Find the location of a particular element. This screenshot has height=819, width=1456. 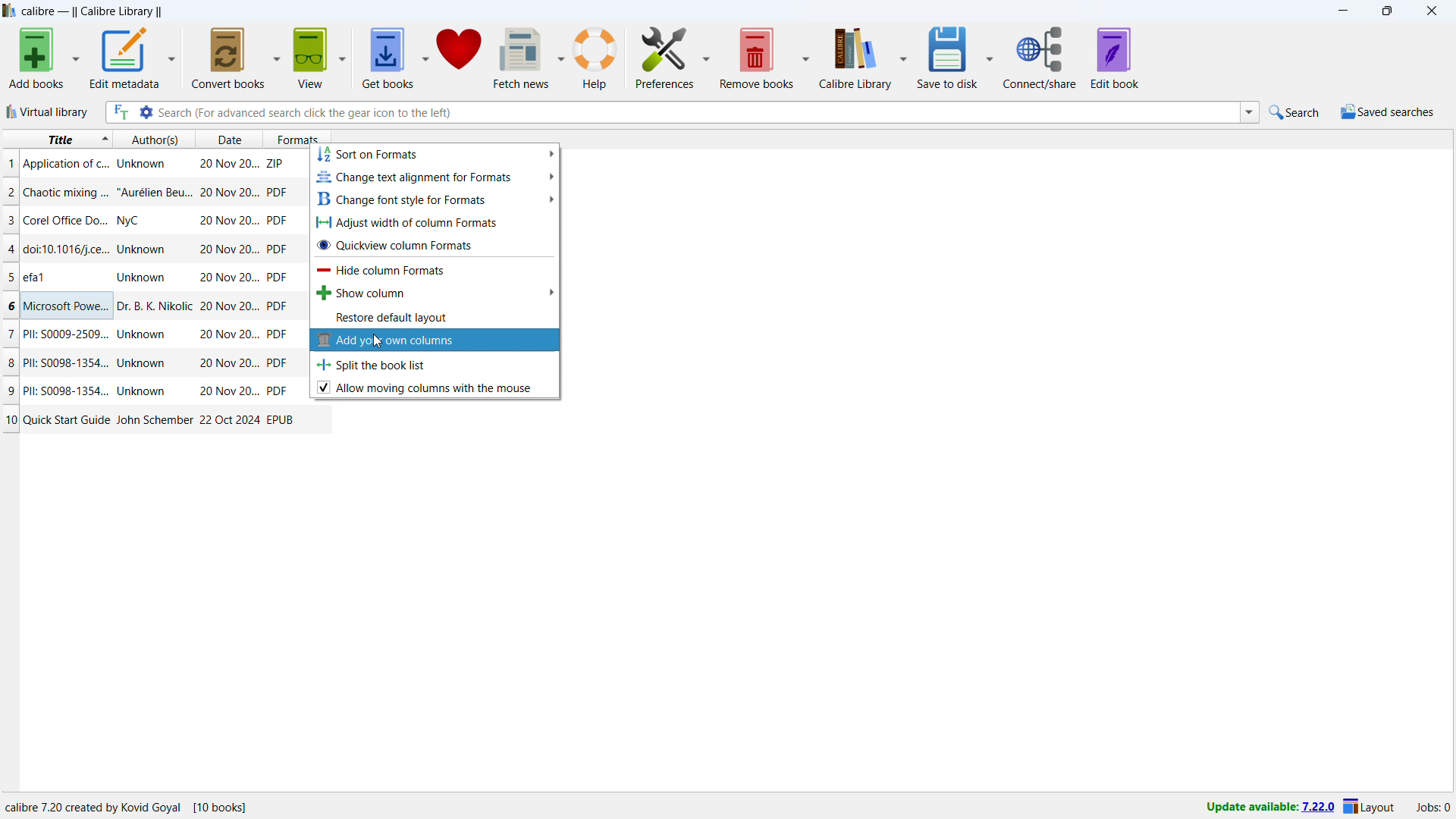

minimize is located at coordinates (1341, 11).